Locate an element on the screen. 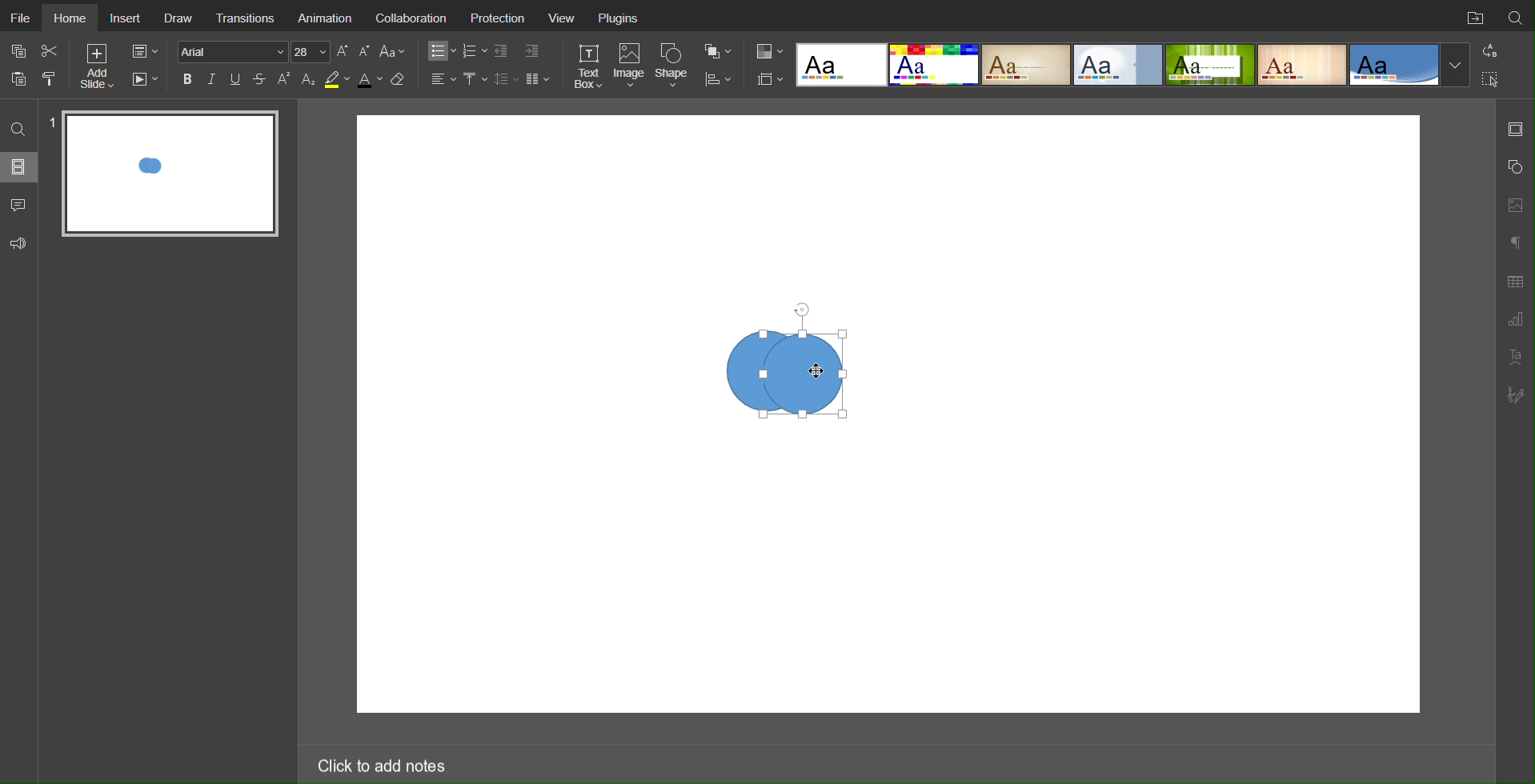  Collaboration is located at coordinates (416, 19).